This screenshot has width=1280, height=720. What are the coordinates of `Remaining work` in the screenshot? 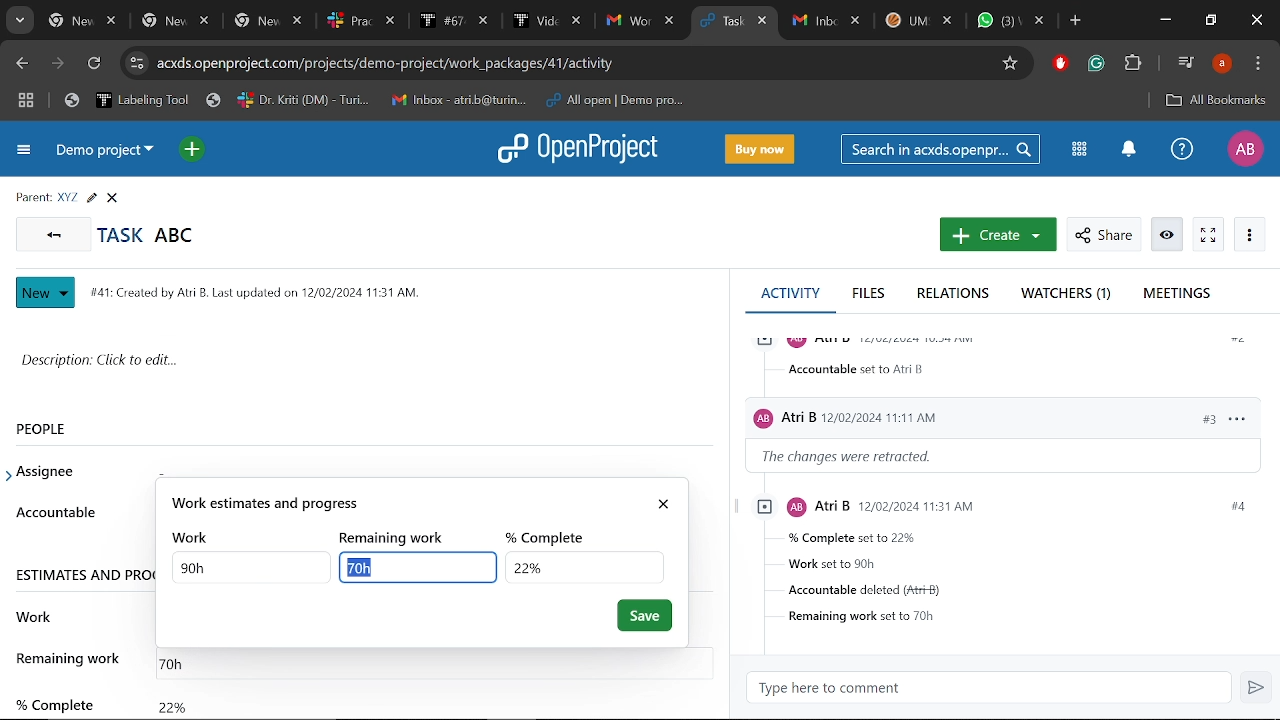 It's located at (181, 660).